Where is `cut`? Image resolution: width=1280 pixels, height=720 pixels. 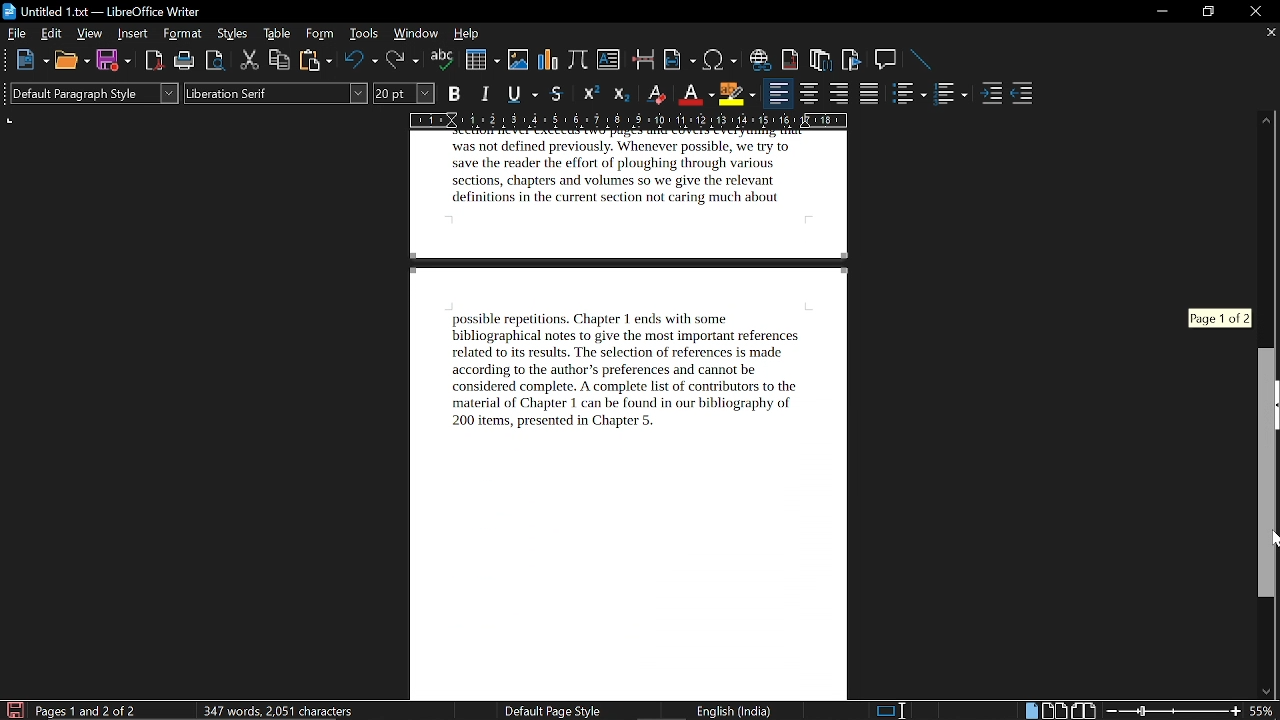
cut is located at coordinates (250, 60).